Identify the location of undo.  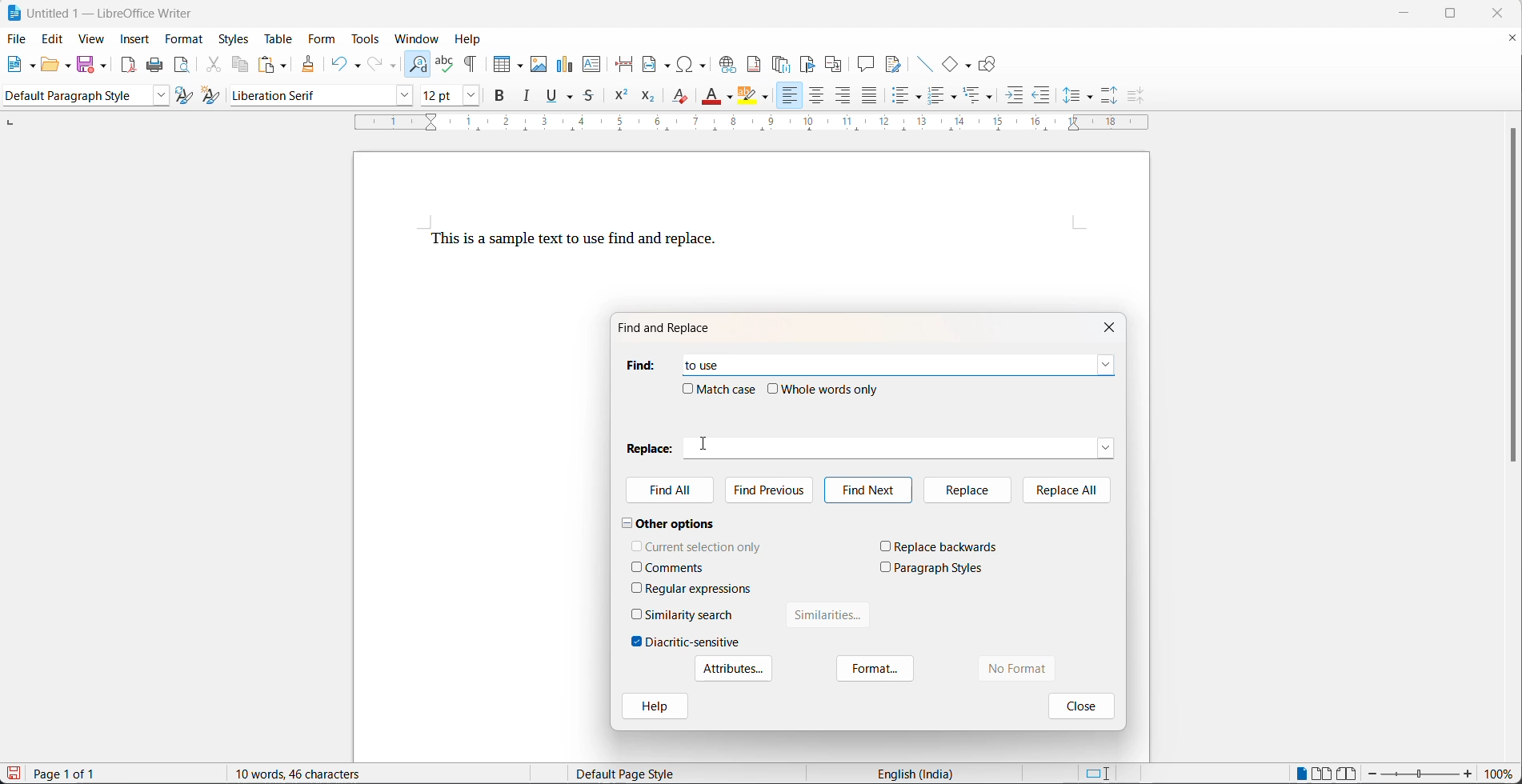
(338, 62).